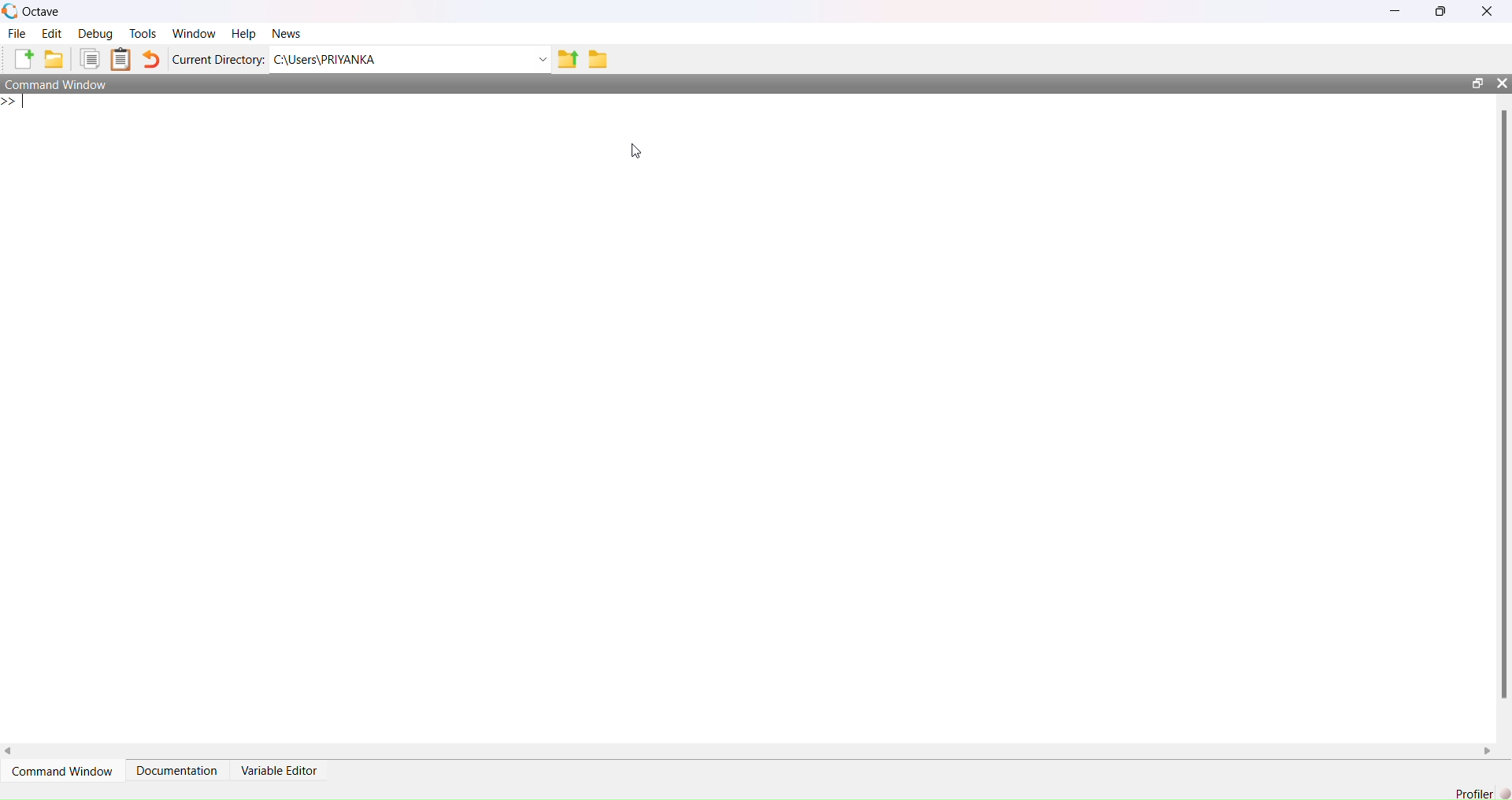  I want to click on Command Window, so click(56, 83).